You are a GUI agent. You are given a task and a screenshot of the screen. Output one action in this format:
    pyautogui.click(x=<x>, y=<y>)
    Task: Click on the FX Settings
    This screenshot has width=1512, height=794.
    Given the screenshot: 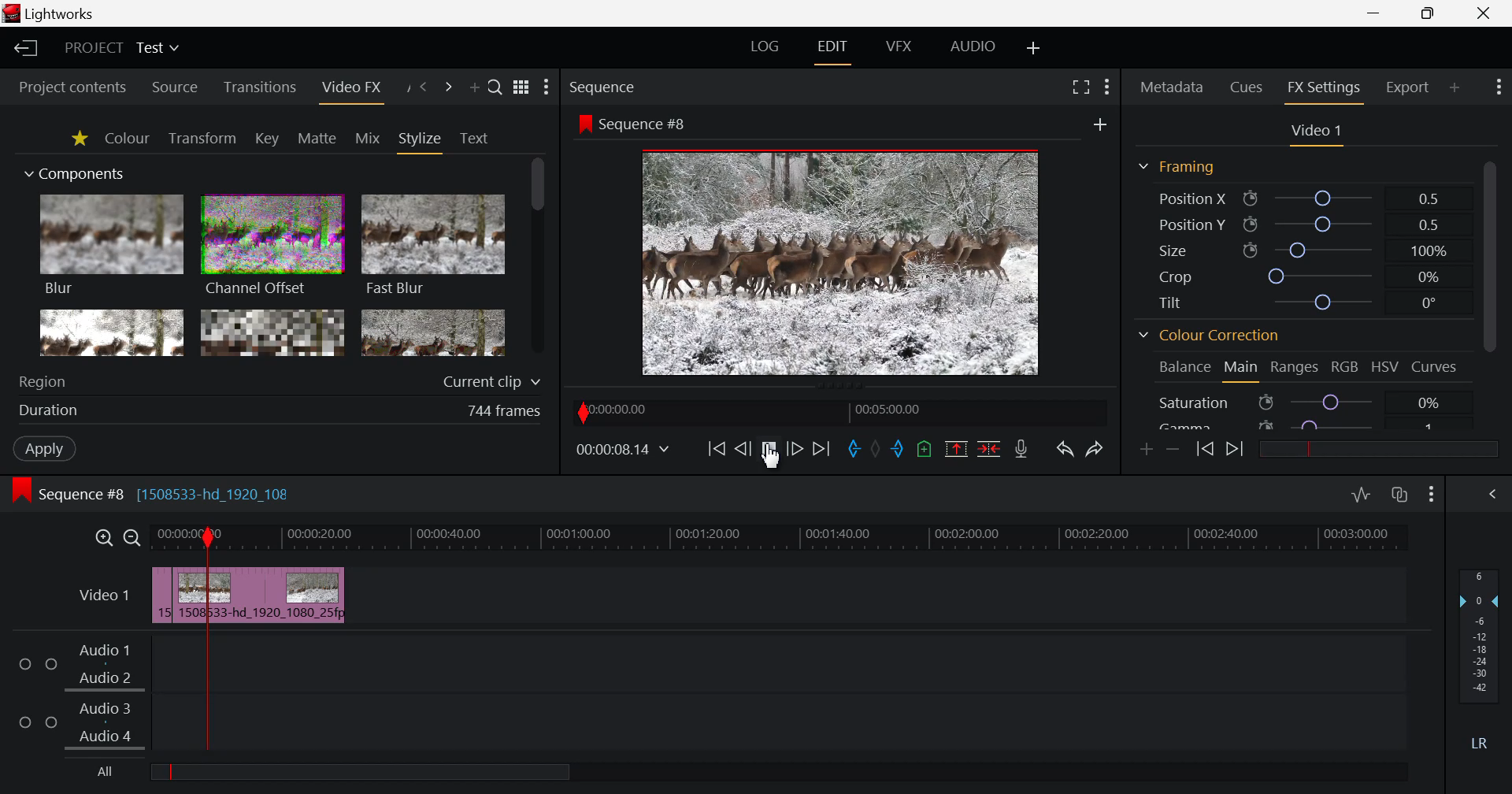 What is the action you would take?
    pyautogui.click(x=1323, y=90)
    